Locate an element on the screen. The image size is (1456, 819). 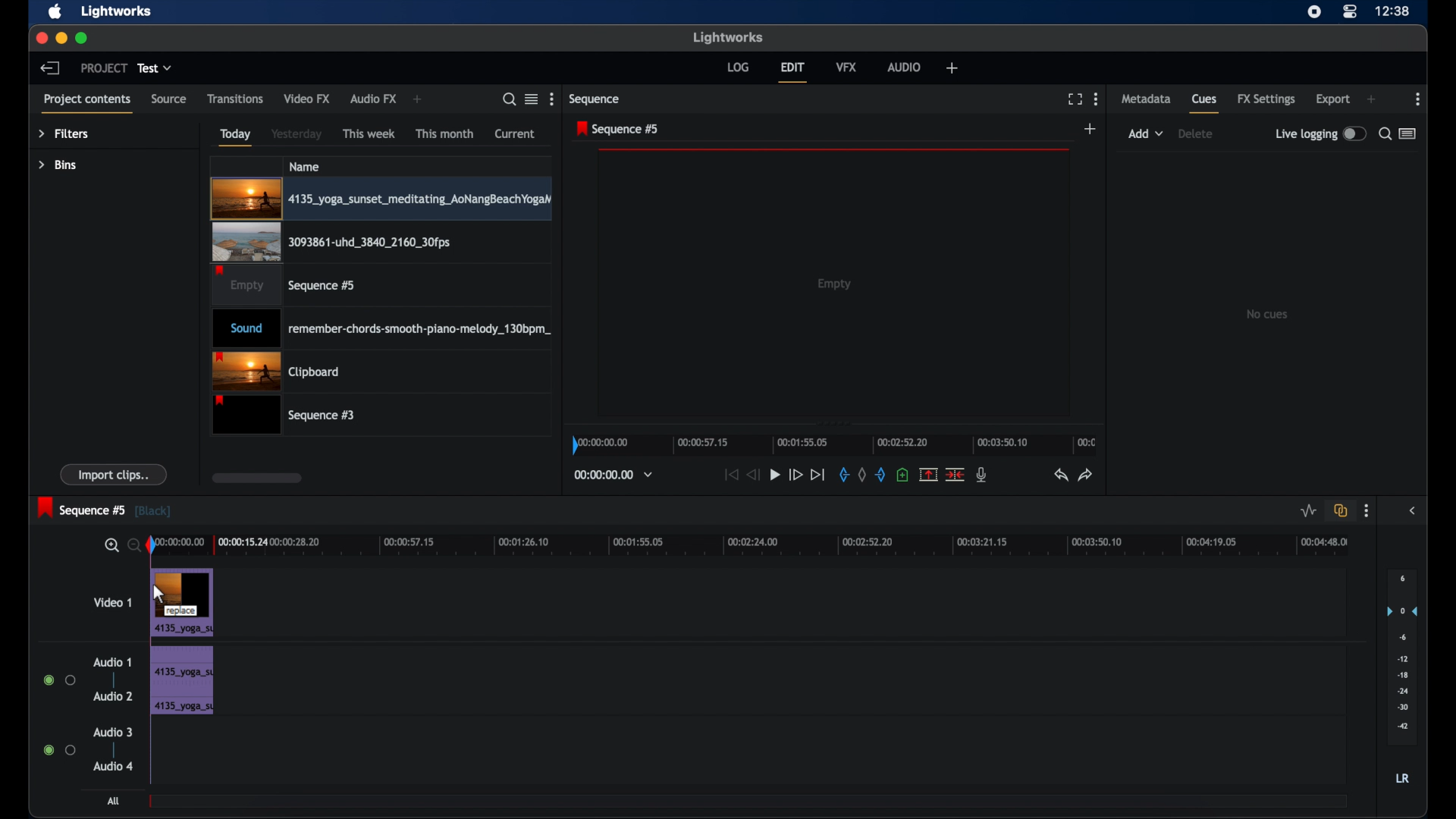
audio 3 is located at coordinates (111, 733).